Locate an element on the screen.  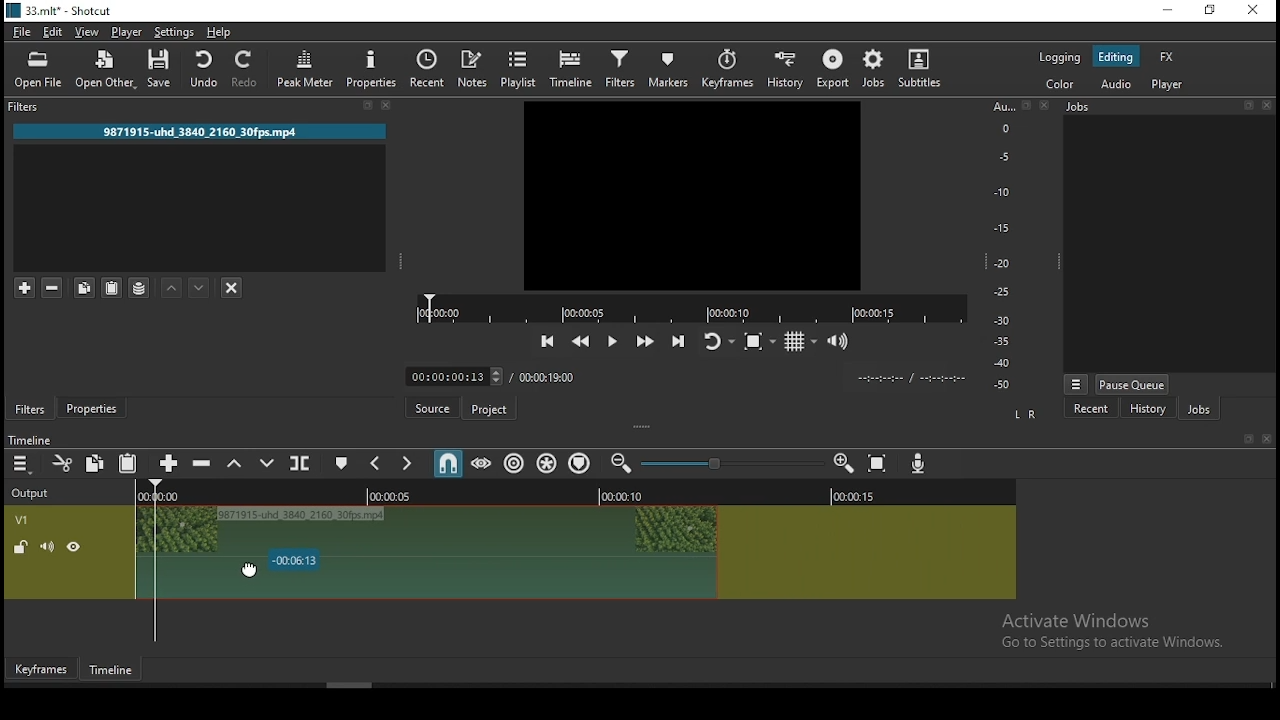
scrub while dragging is located at coordinates (483, 465).